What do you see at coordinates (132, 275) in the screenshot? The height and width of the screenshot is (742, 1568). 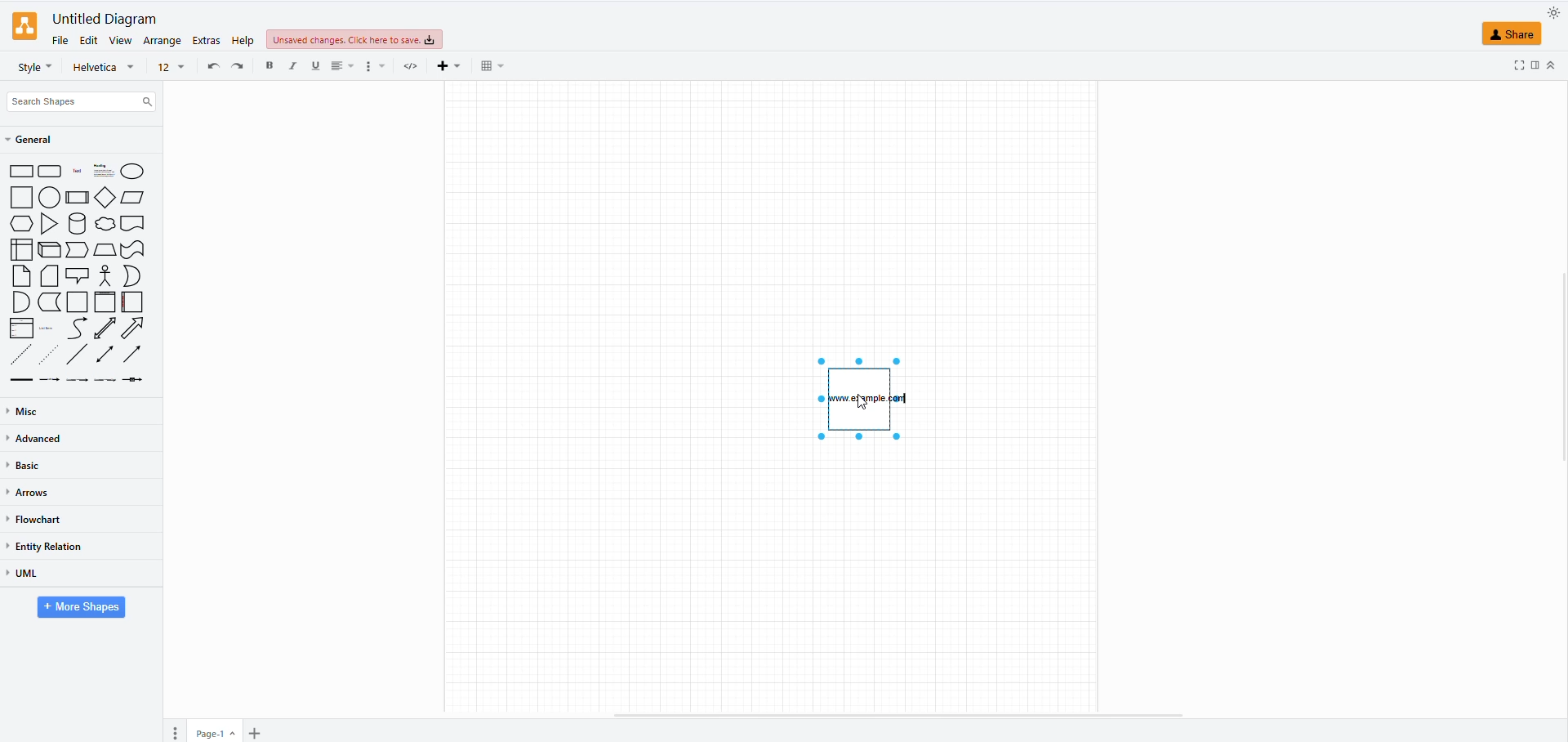 I see `Or` at bounding box center [132, 275].